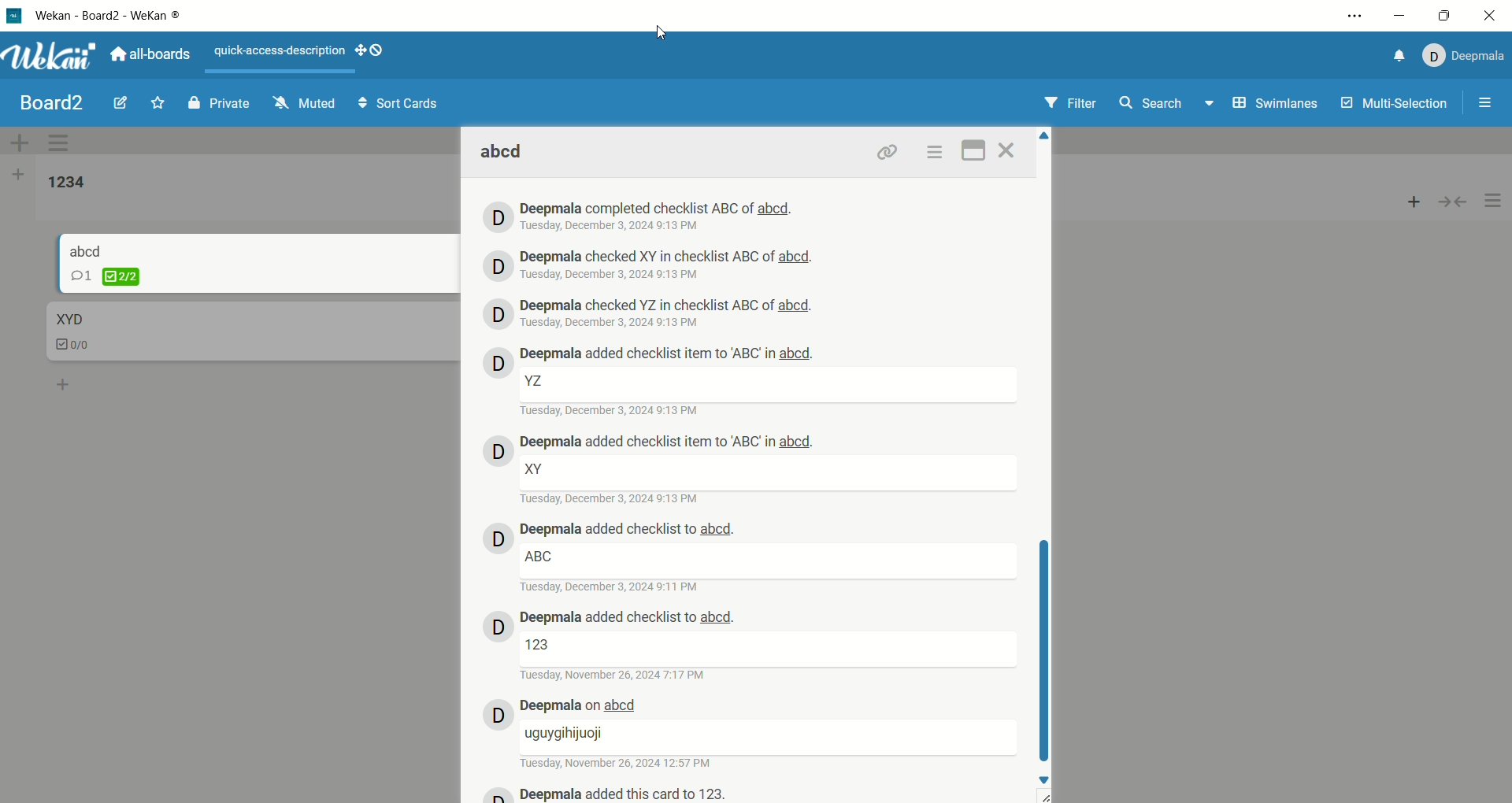 This screenshot has height=803, width=1512. Describe the element at coordinates (65, 382) in the screenshot. I see `add` at that location.